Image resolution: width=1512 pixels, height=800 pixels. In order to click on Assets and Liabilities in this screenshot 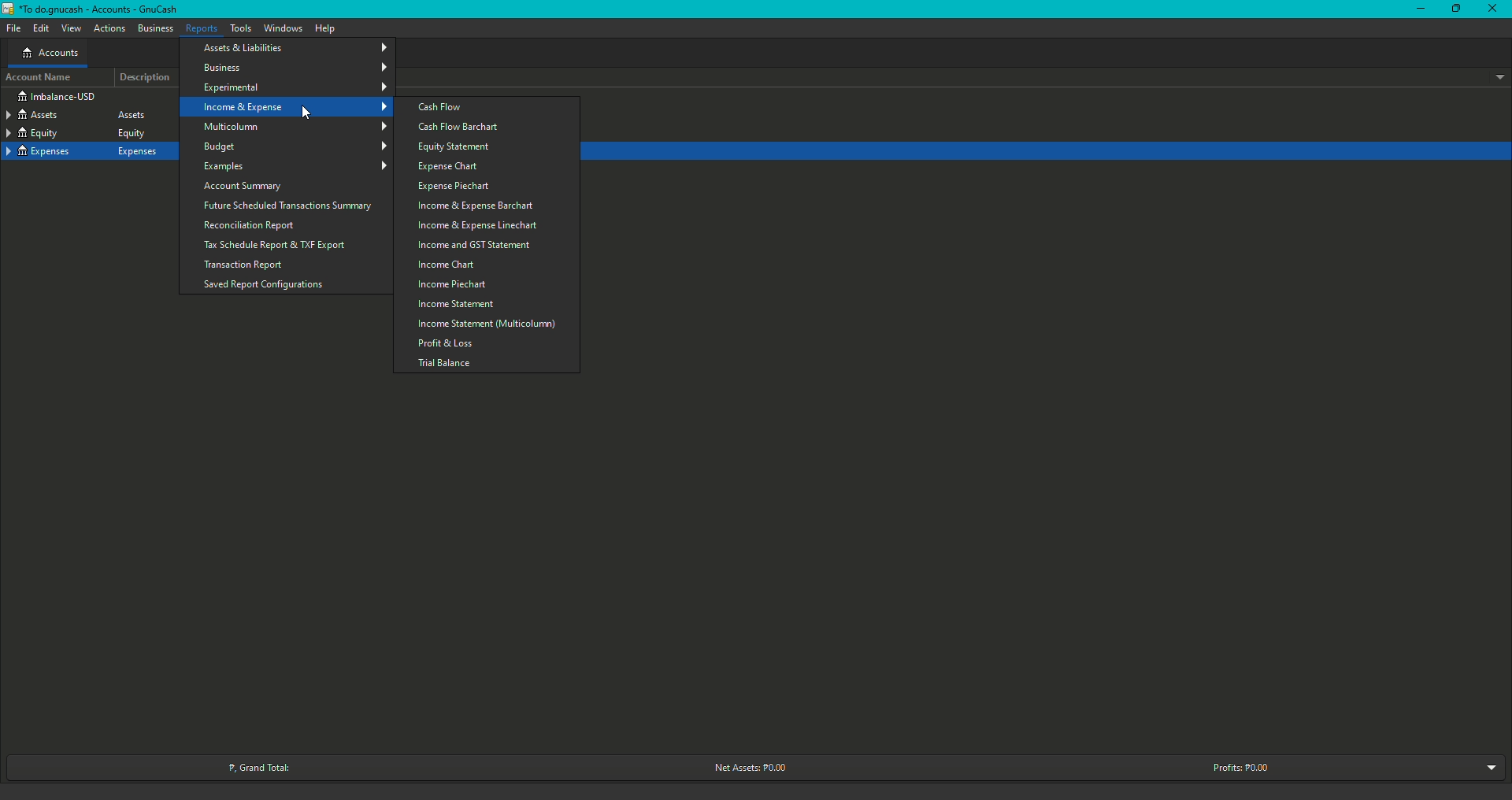, I will do `click(298, 47)`.